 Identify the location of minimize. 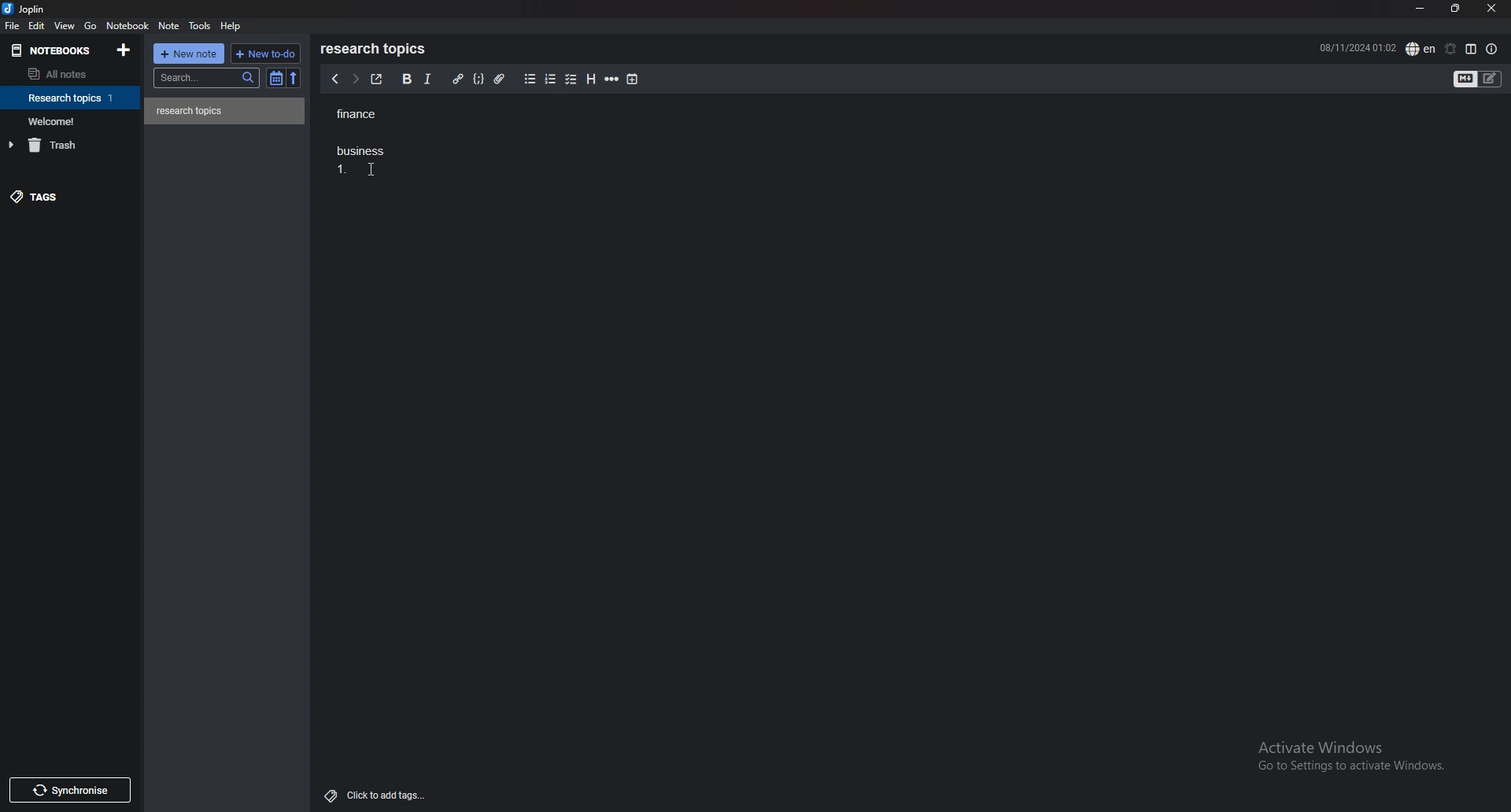
(1419, 9).